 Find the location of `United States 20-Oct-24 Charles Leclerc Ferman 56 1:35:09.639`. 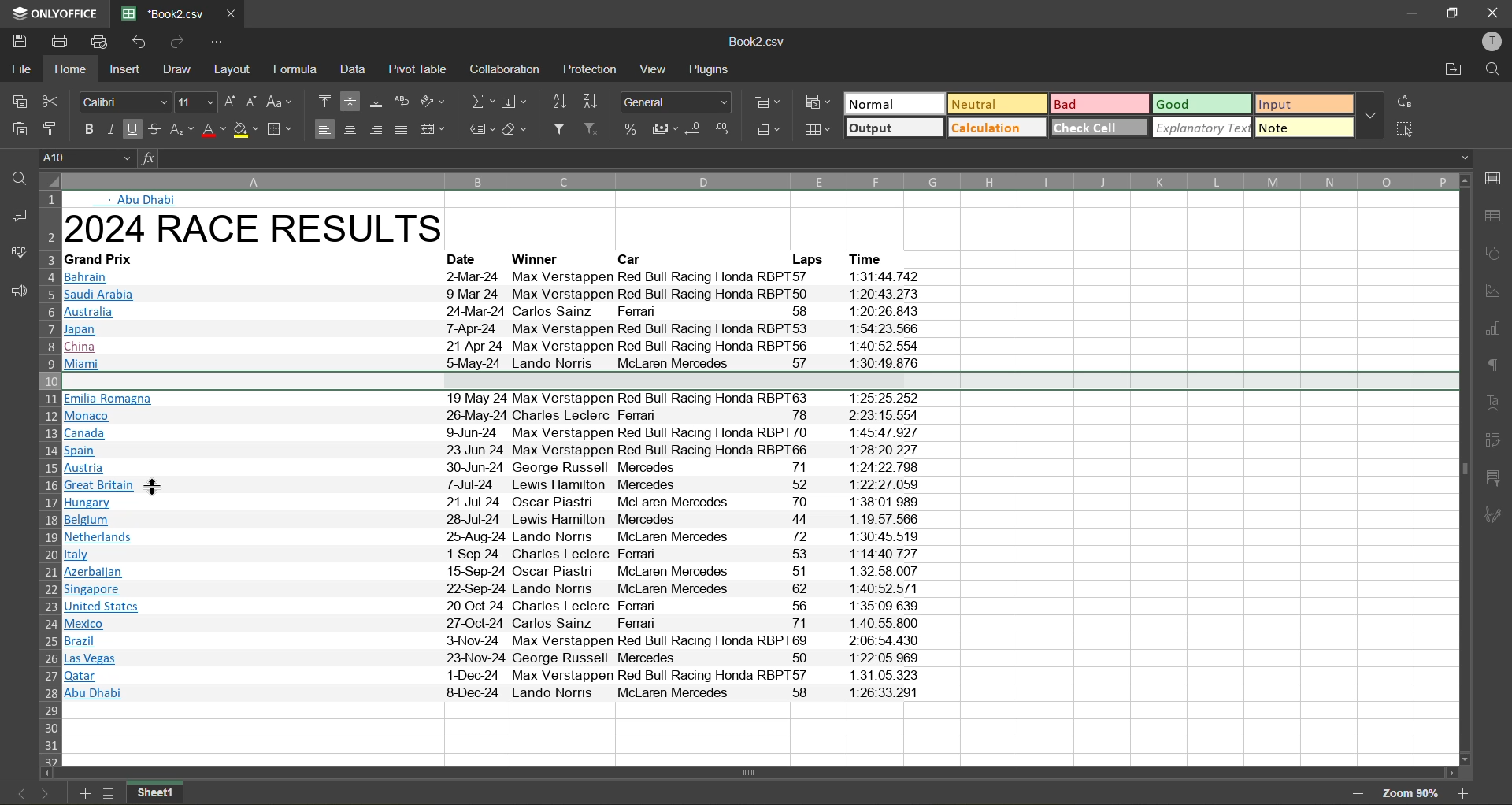

United States 20-Oct-24 Charles Leclerc Ferman 56 1:35:09.639 is located at coordinates (495, 608).